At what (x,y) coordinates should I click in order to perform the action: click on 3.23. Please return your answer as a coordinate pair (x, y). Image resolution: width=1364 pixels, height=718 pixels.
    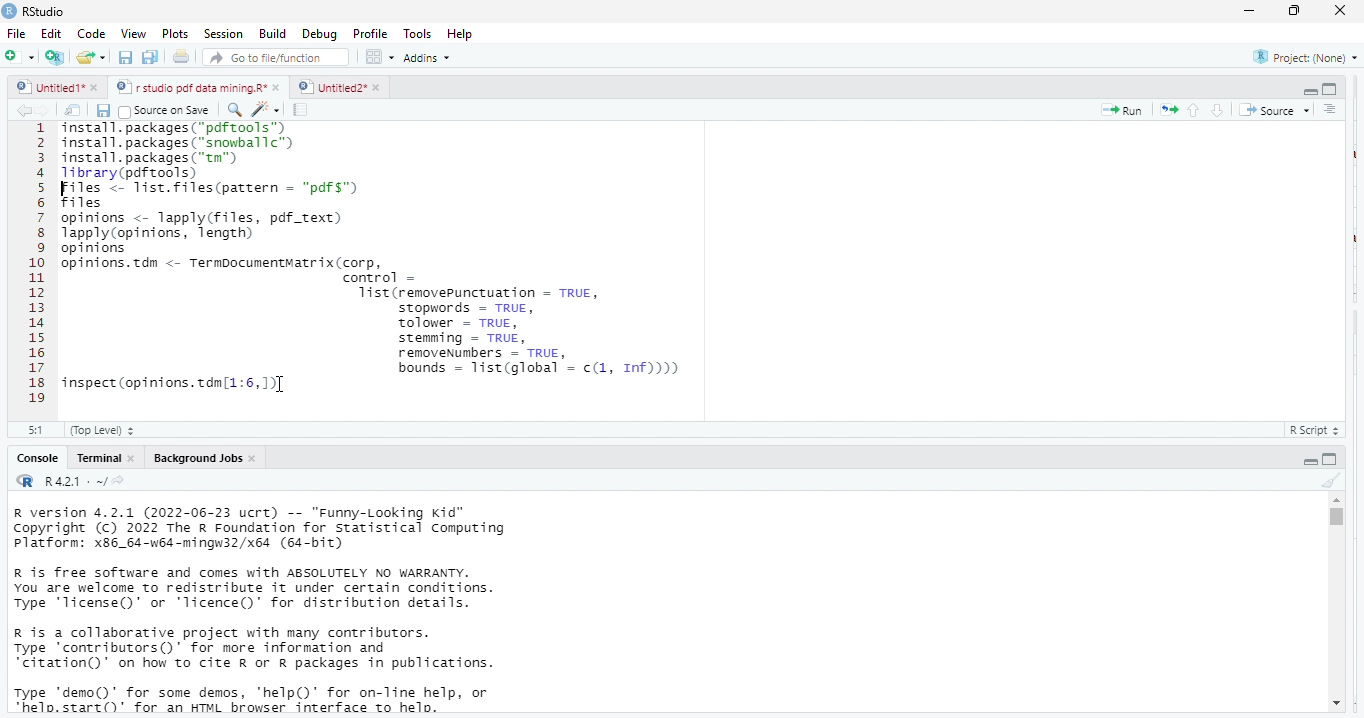
    Looking at the image, I should click on (35, 428).